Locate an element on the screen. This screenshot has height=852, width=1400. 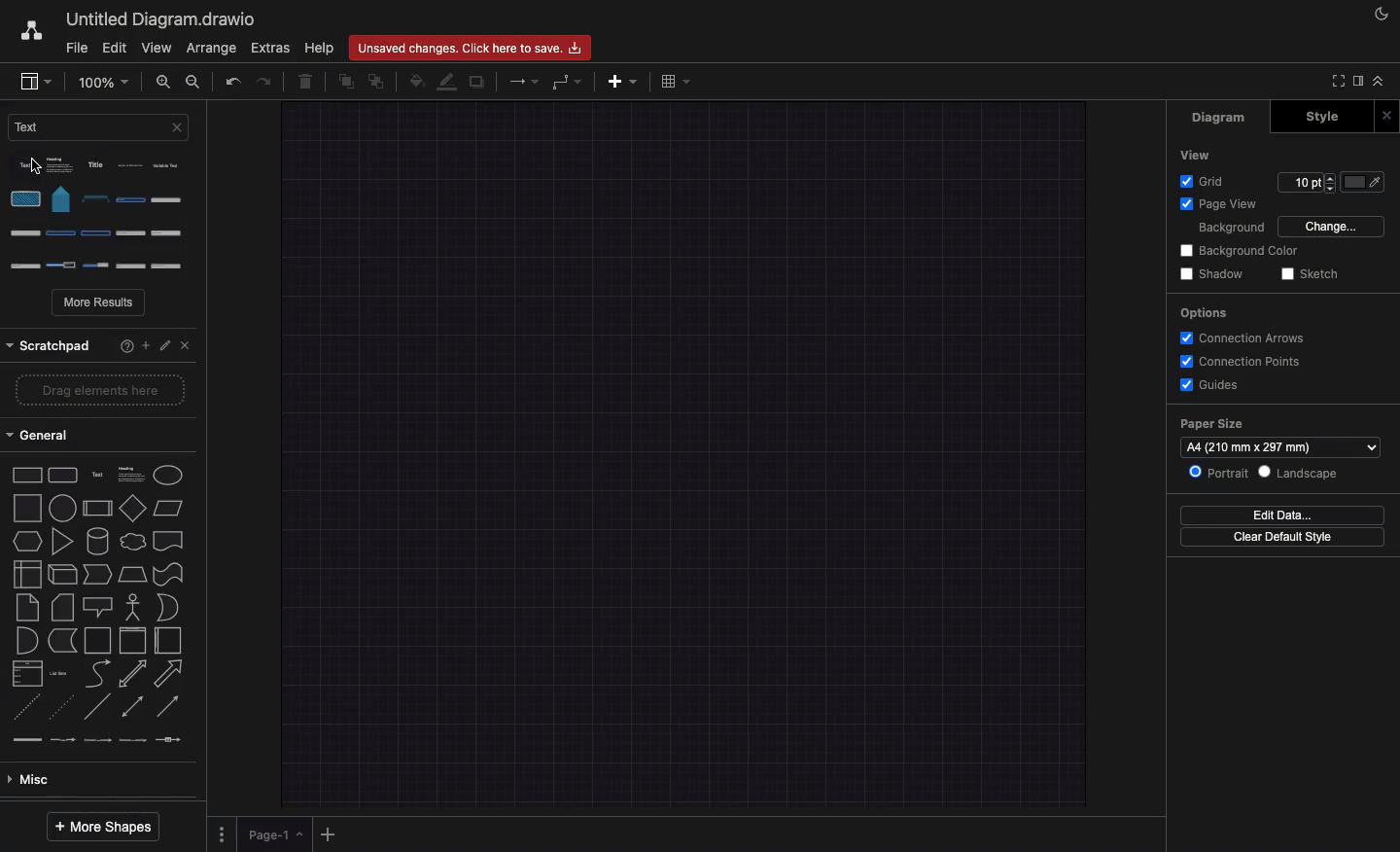
Options is located at coordinates (1207, 313).